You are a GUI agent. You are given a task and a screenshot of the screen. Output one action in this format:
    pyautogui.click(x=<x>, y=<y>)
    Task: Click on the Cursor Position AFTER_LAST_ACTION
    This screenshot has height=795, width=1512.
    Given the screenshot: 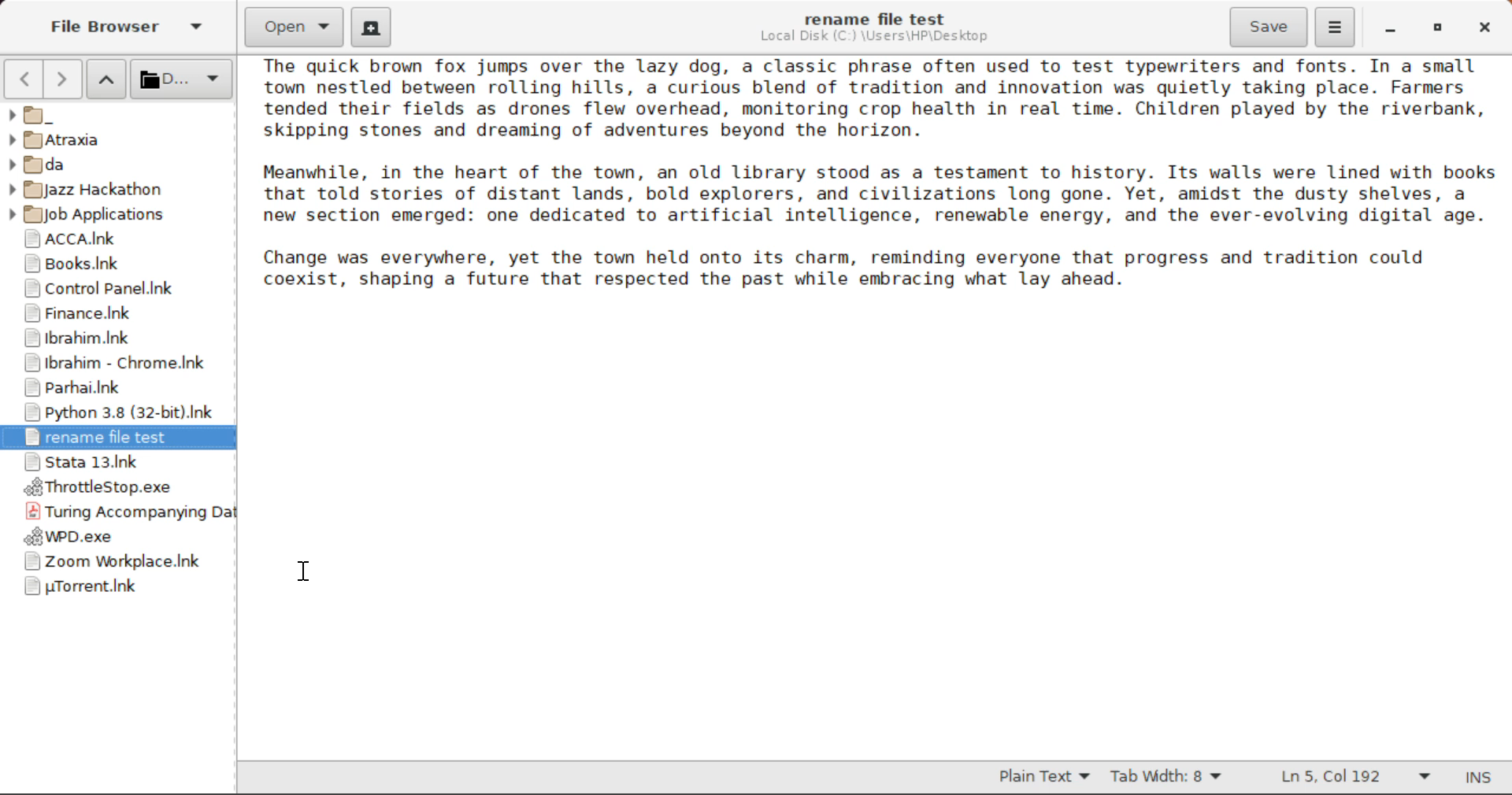 What is the action you would take?
    pyautogui.click(x=302, y=575)
    